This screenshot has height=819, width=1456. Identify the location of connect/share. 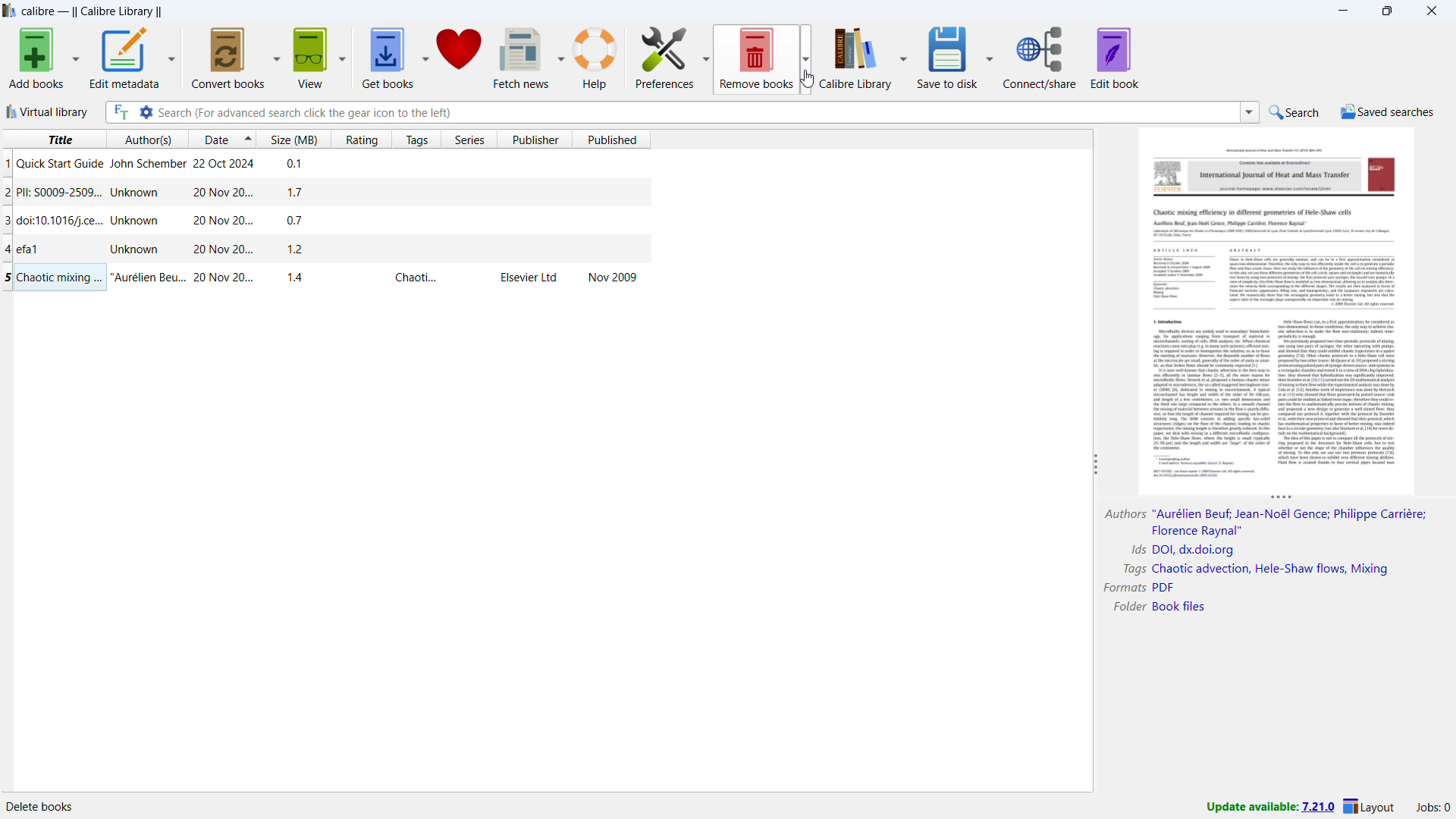
(1040, 56).